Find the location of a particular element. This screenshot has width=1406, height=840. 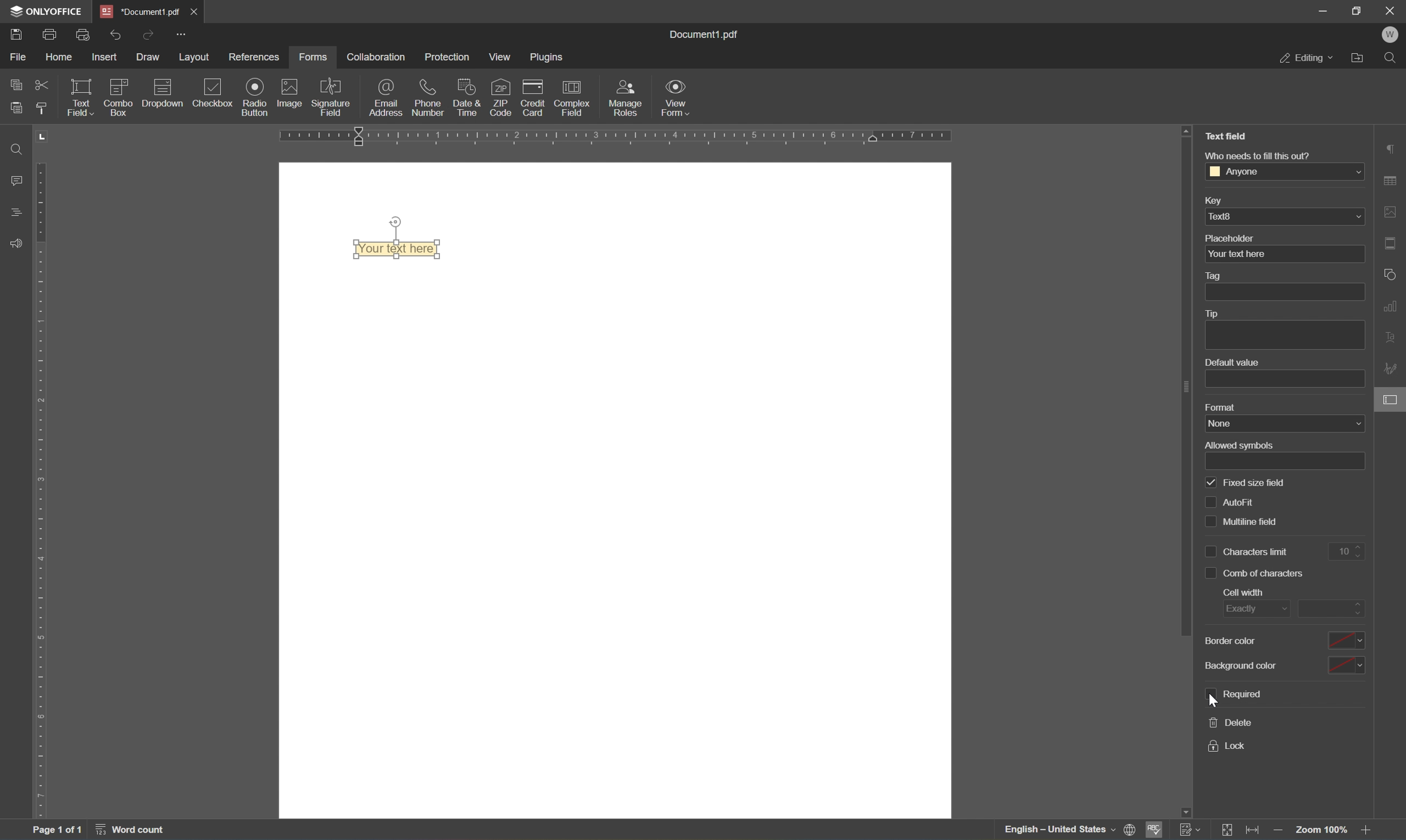

doxument1.pdf is located at coordinates (139, 12).